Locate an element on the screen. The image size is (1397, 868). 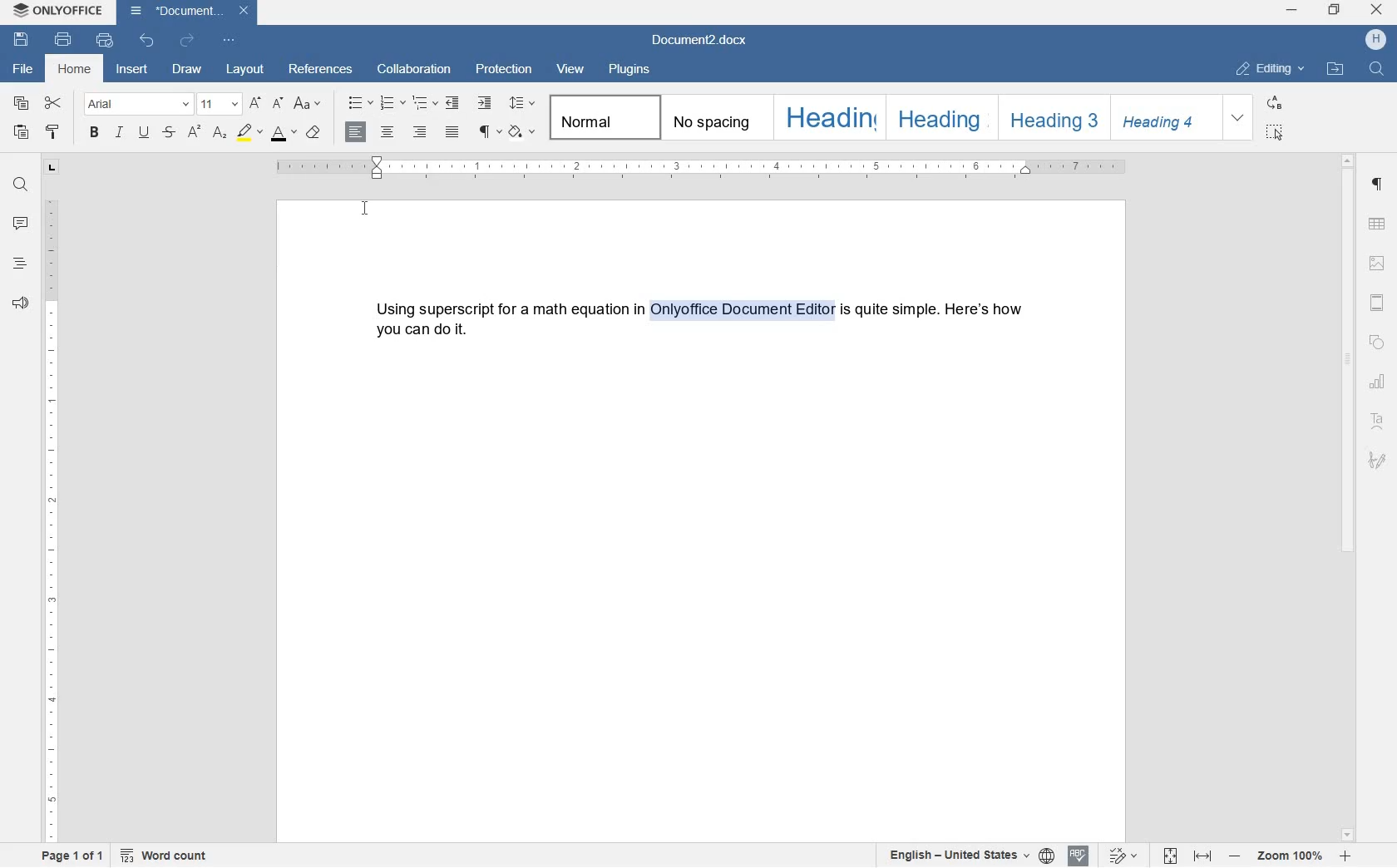
protection is located at coordinates (506, 71).